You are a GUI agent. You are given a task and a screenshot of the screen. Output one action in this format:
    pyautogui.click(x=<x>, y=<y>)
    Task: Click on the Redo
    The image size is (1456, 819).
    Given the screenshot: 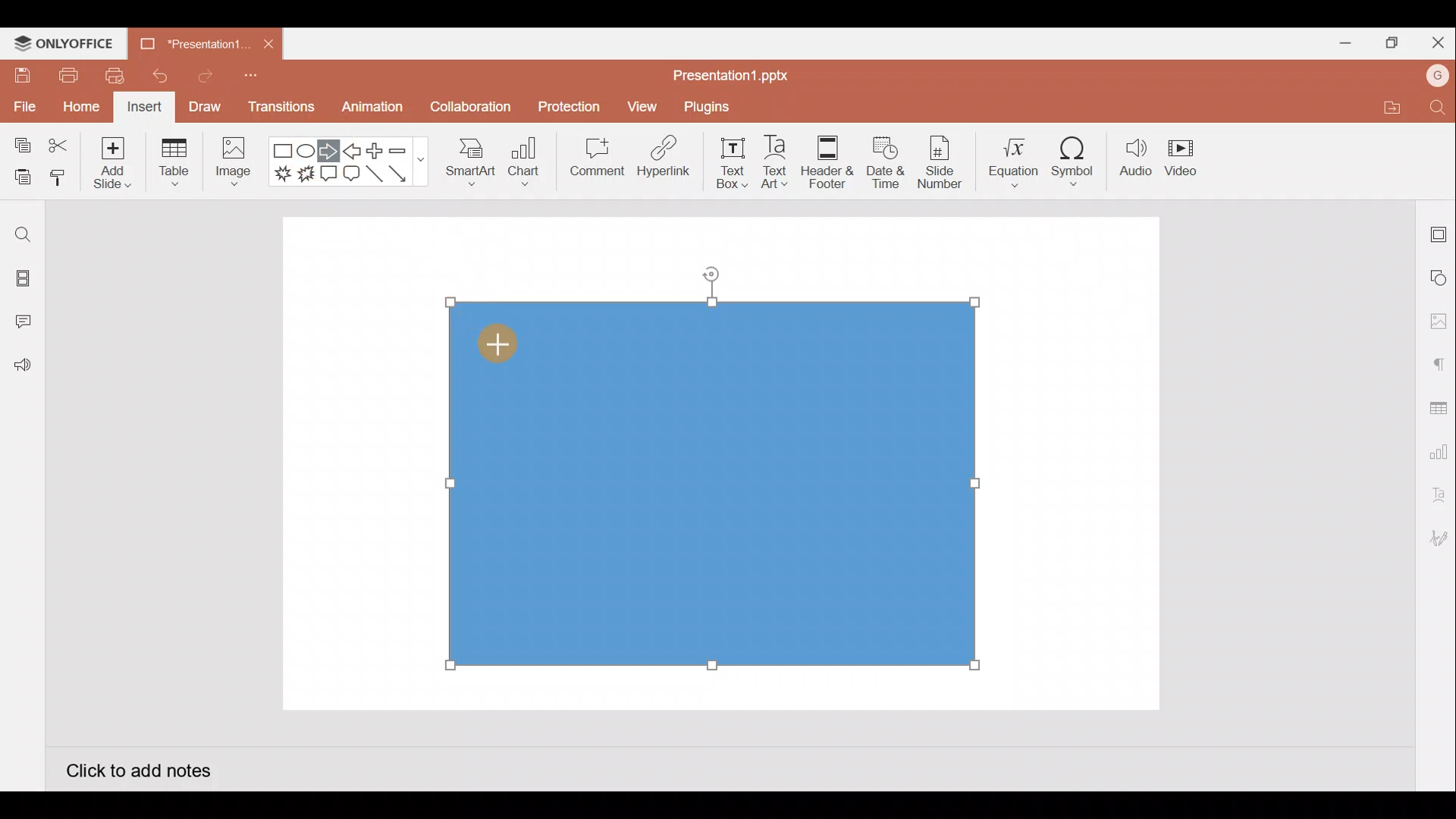 What is the action you would take?
    pyautogui.click(x=199, y=75)
    